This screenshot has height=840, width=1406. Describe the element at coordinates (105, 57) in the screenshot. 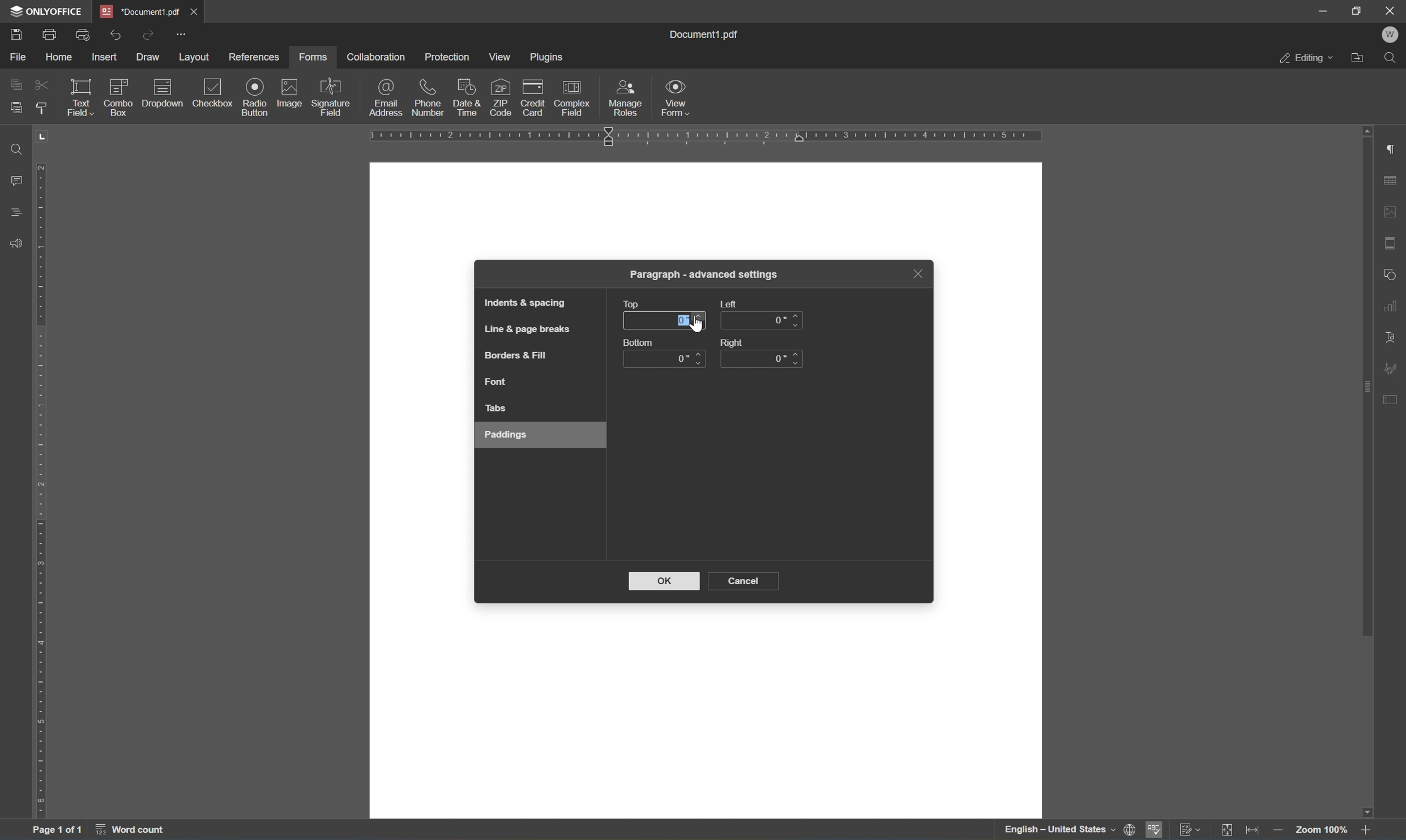

I see `insert` at that location.